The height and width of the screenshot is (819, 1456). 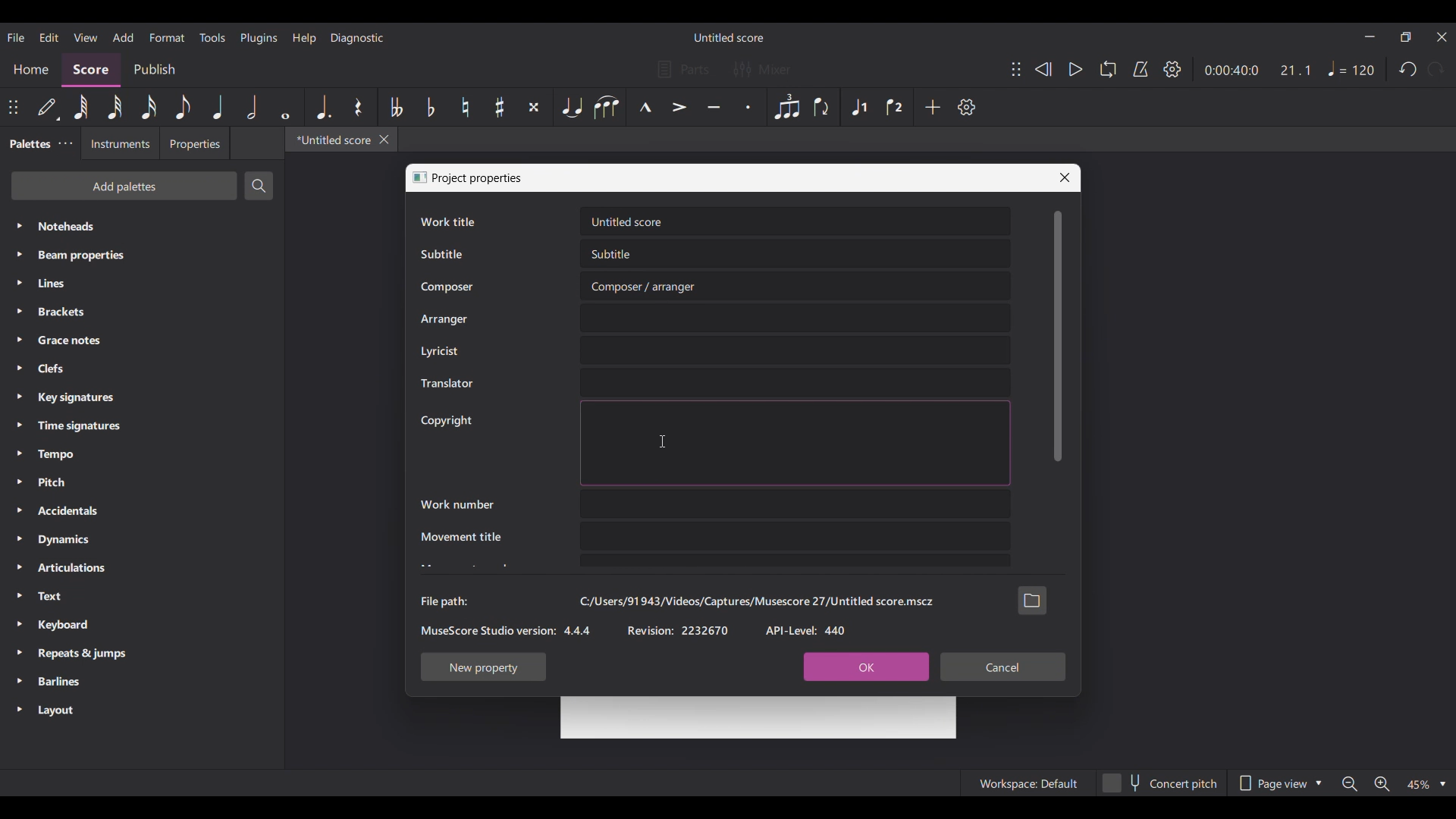 I want to click on Palettes, so click(x=28, y=143).